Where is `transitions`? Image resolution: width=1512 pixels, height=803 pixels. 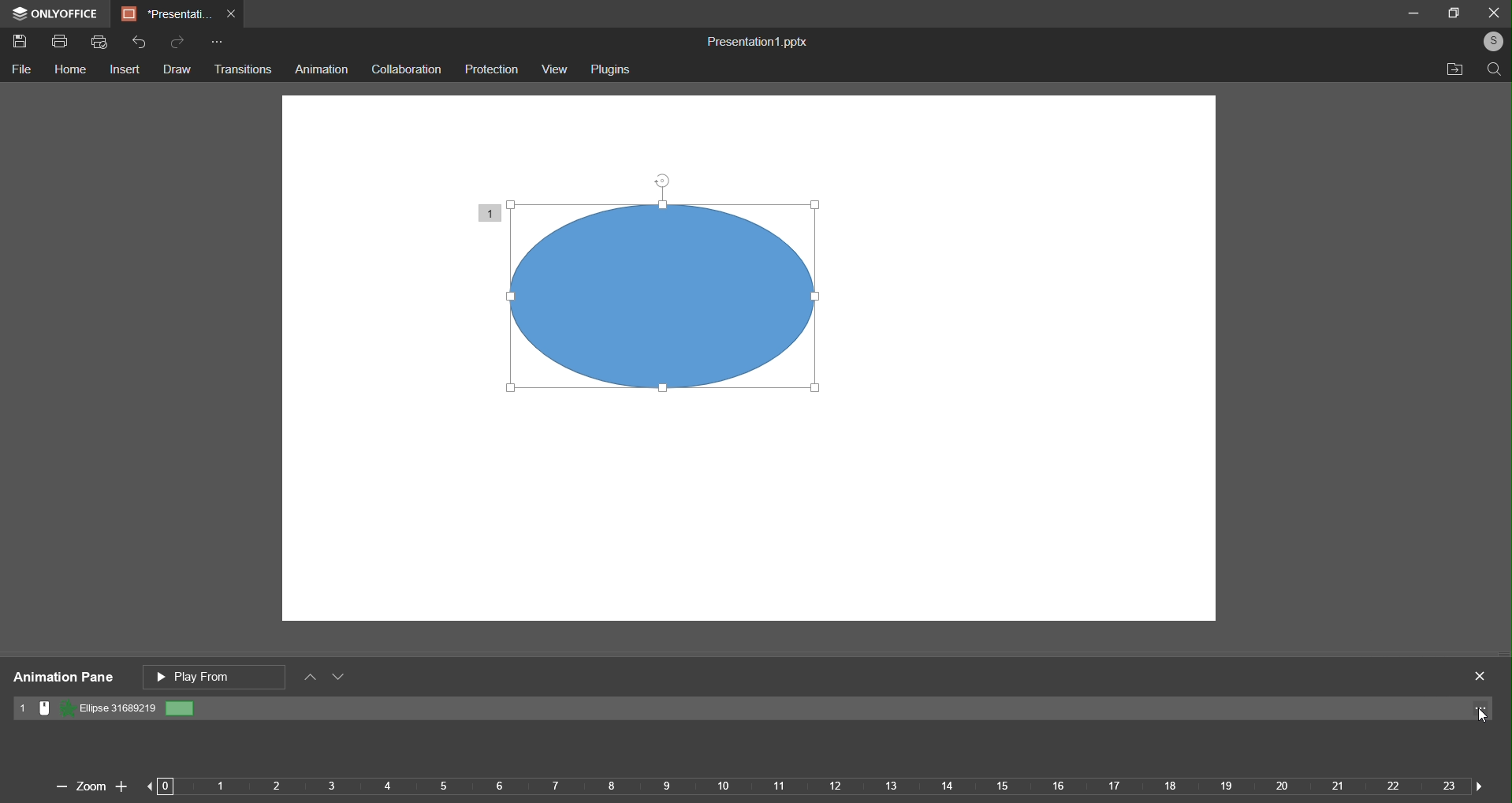
transitions is located at coordinates (243, 70).